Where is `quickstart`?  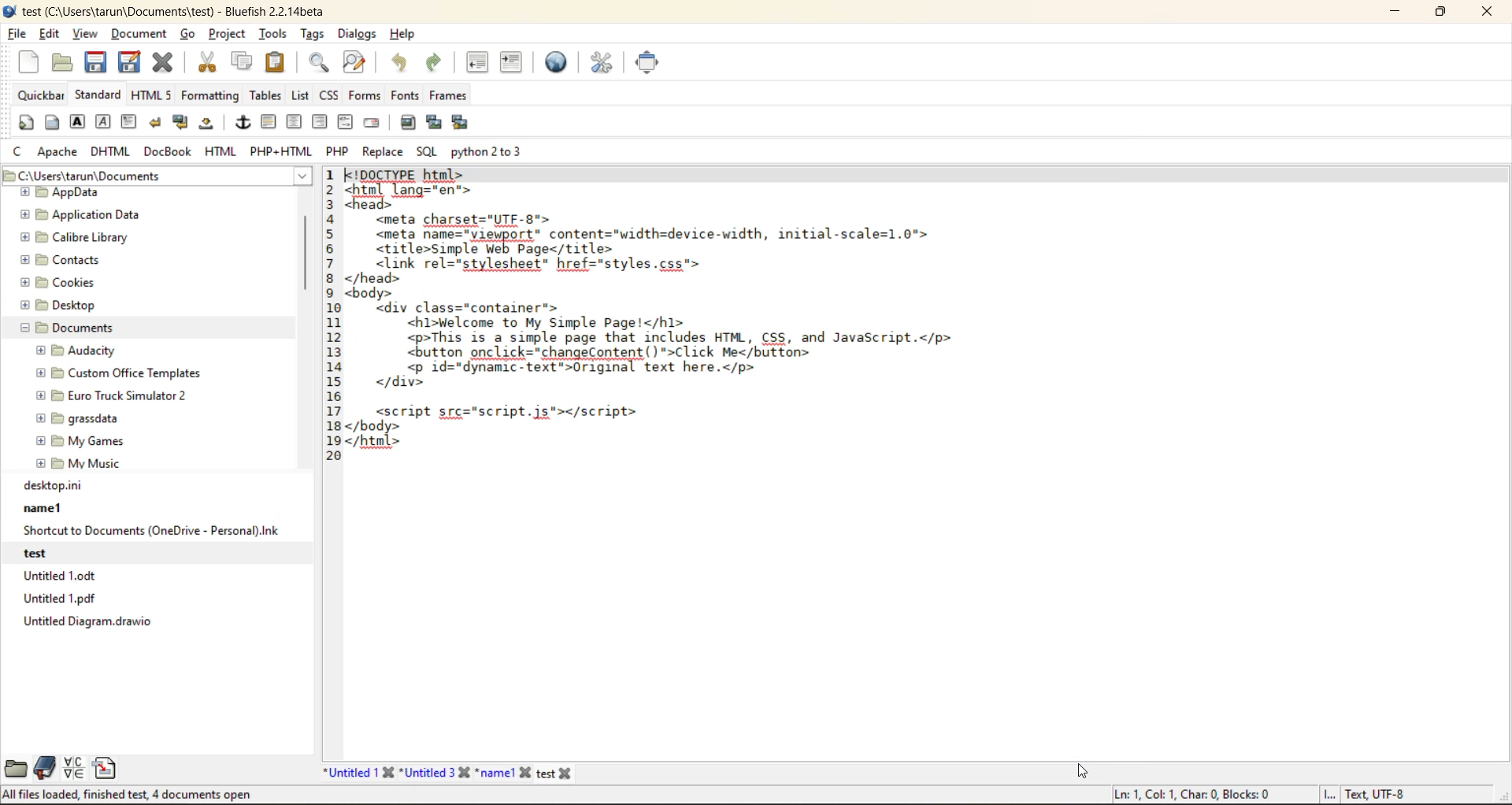 quickstart is located at coordinates (24, 124).